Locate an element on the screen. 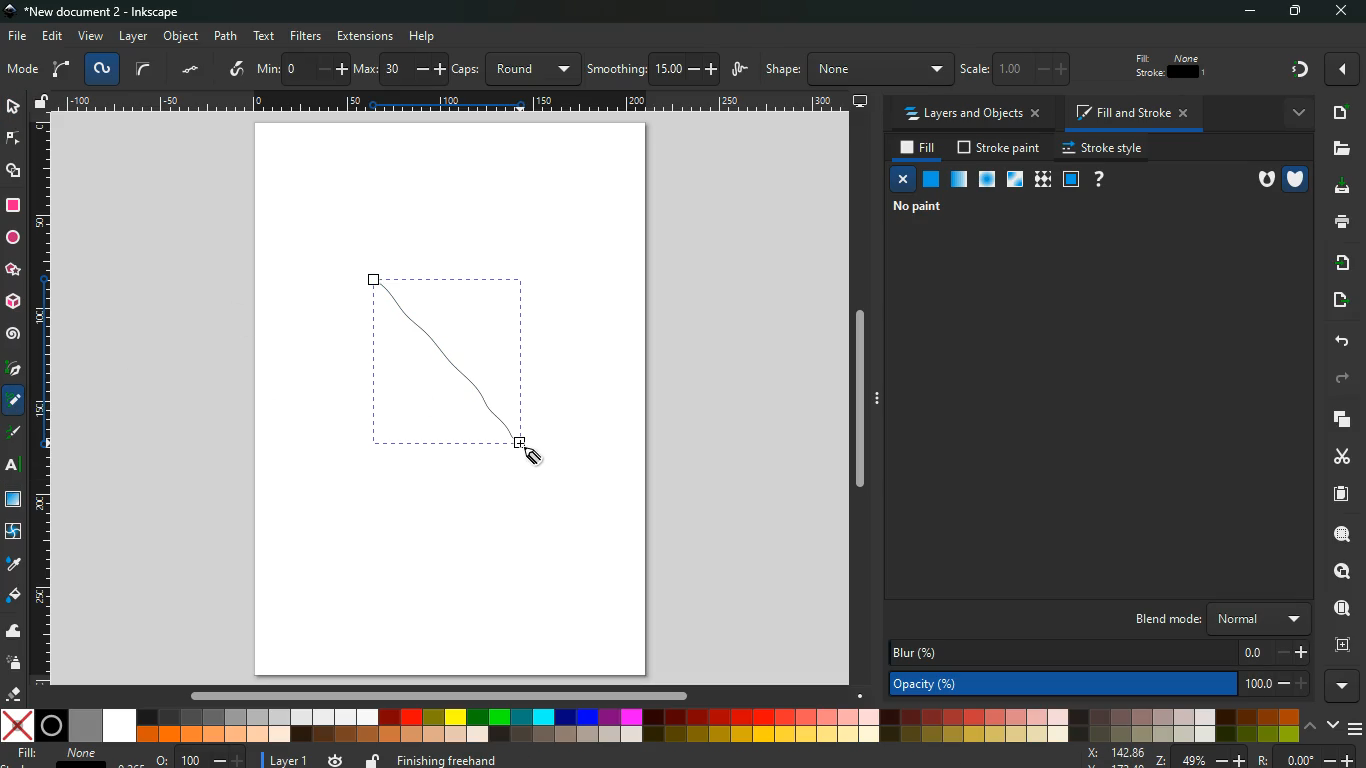  cut is located at coordinates (1339, 457).